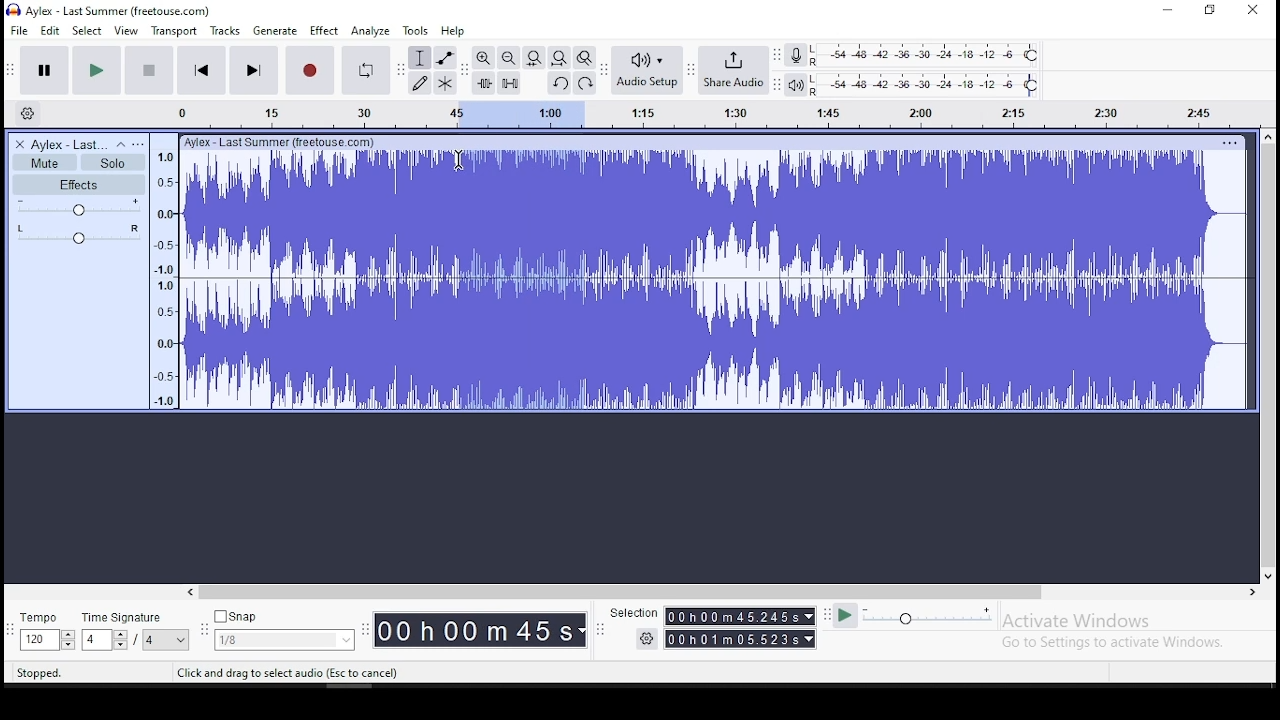 The width and height of the screenshot is (1280, 720). Describe the element at coordinates (287, 630) in the screenshot. I see `snap` at that location.